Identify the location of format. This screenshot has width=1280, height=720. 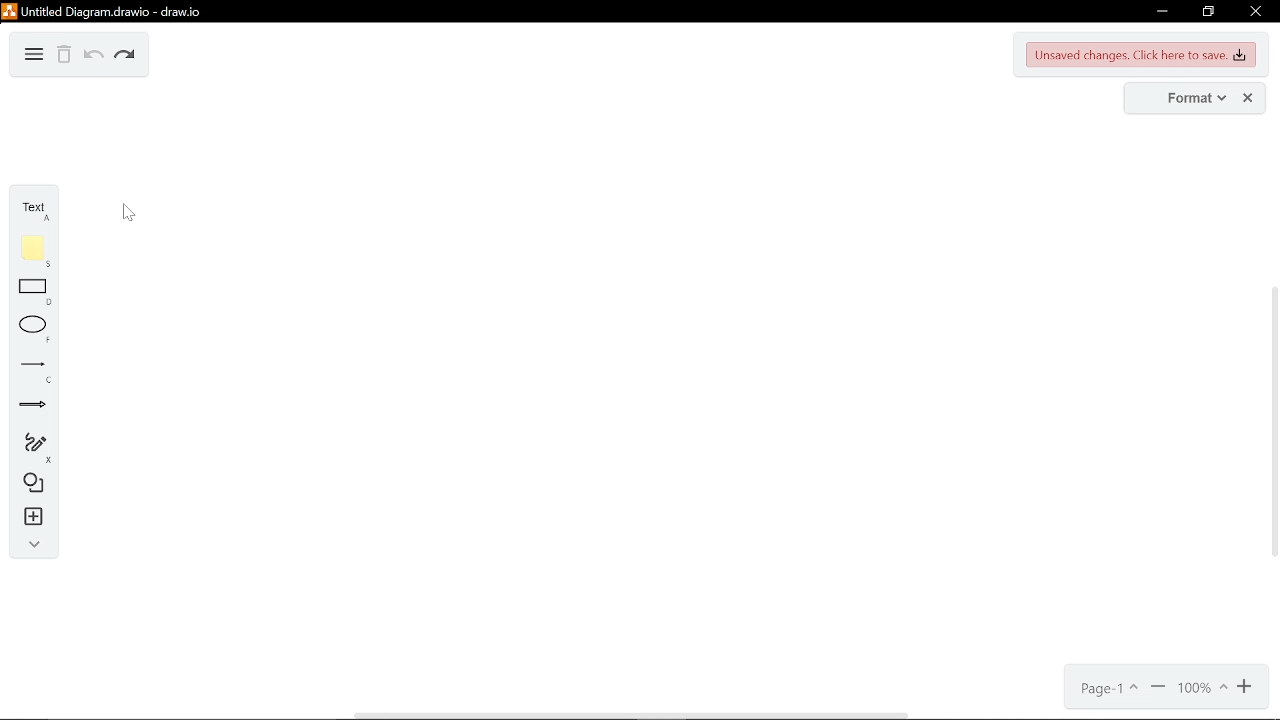
(1189, 98).